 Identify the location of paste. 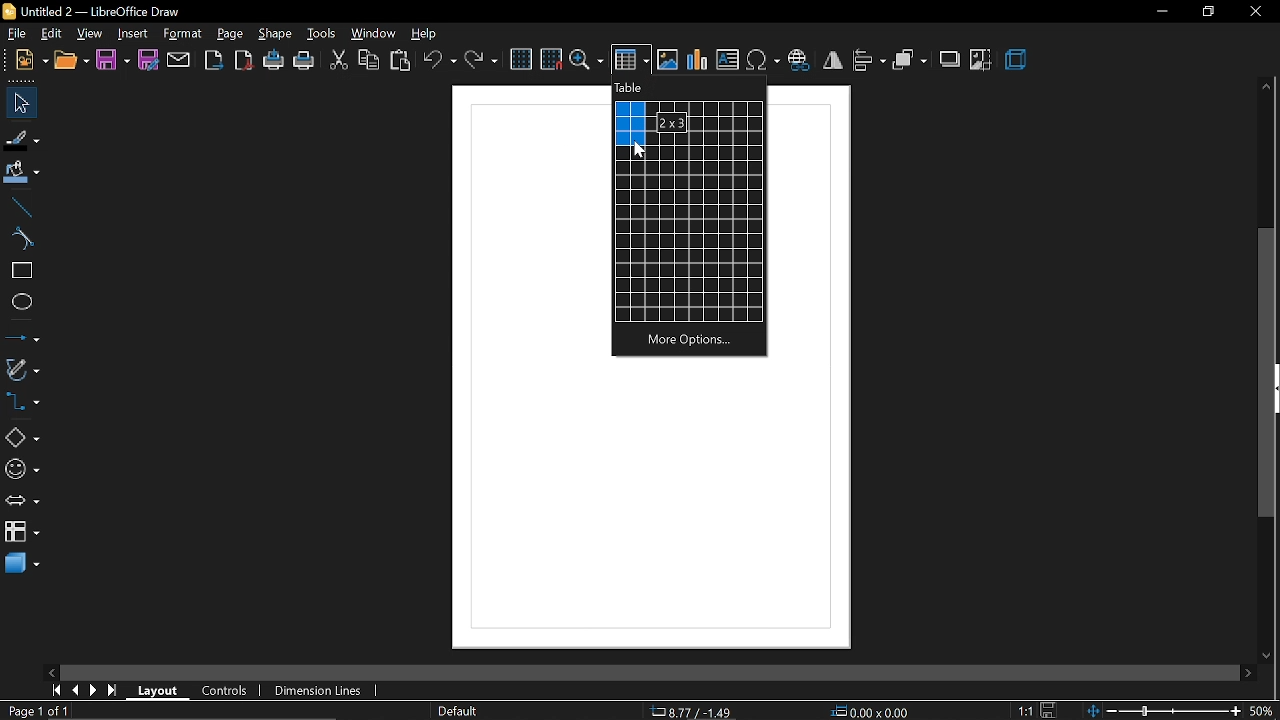
(401, 61).